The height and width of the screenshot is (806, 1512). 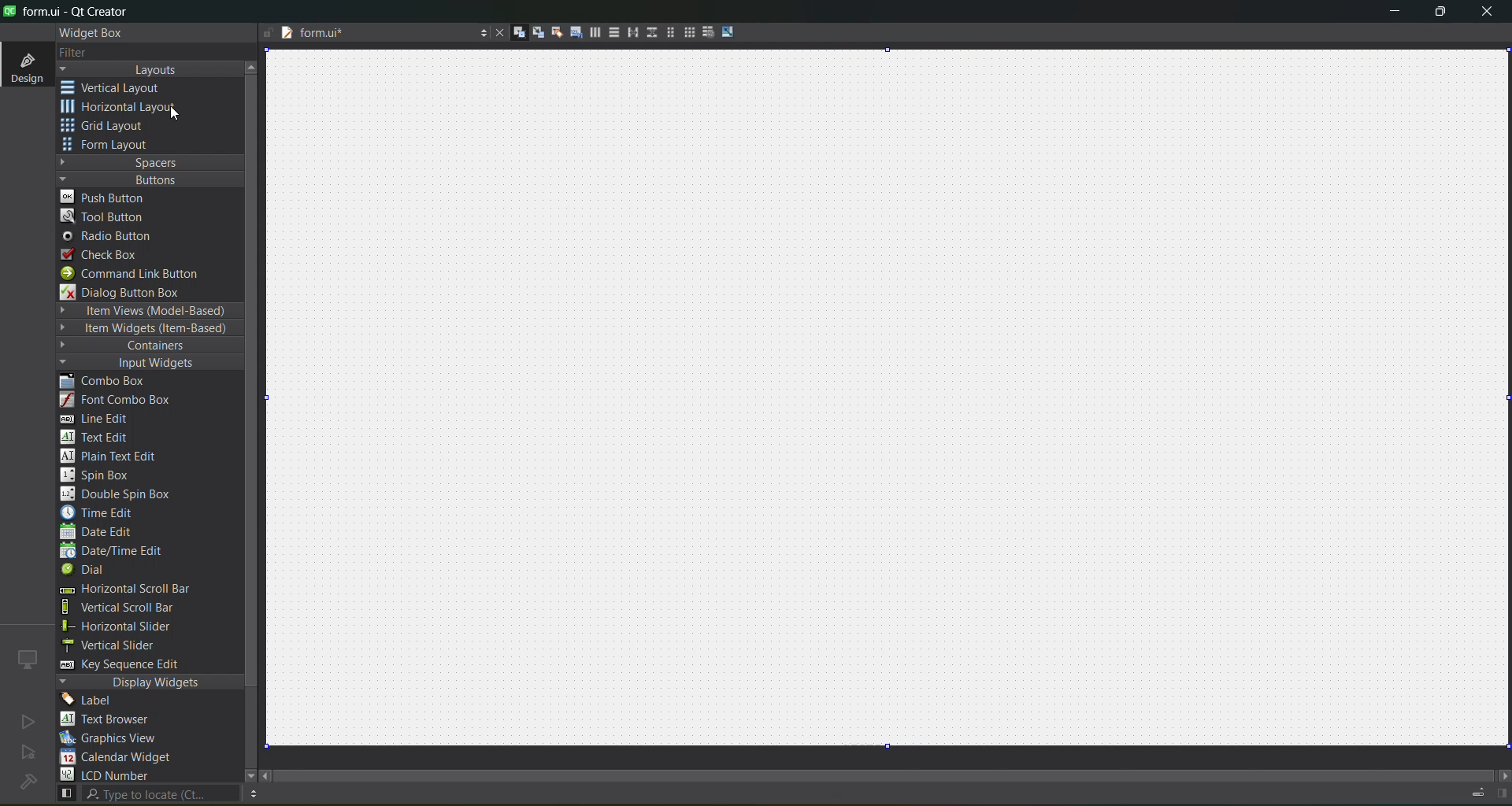 What do you see at coordinates (150, 682) in the screenshot?
I see `display widgets` at bounding box center [150, 682].